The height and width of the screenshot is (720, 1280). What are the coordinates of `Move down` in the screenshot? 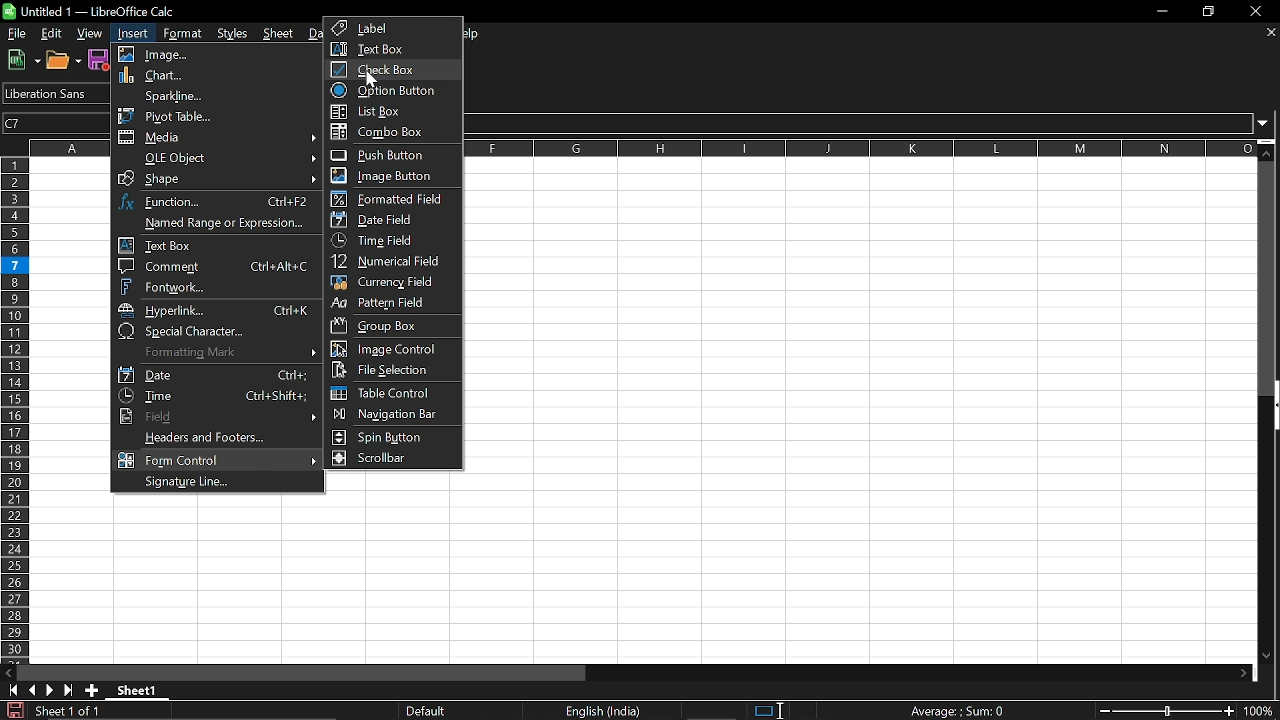 It's located at (1266, 657).